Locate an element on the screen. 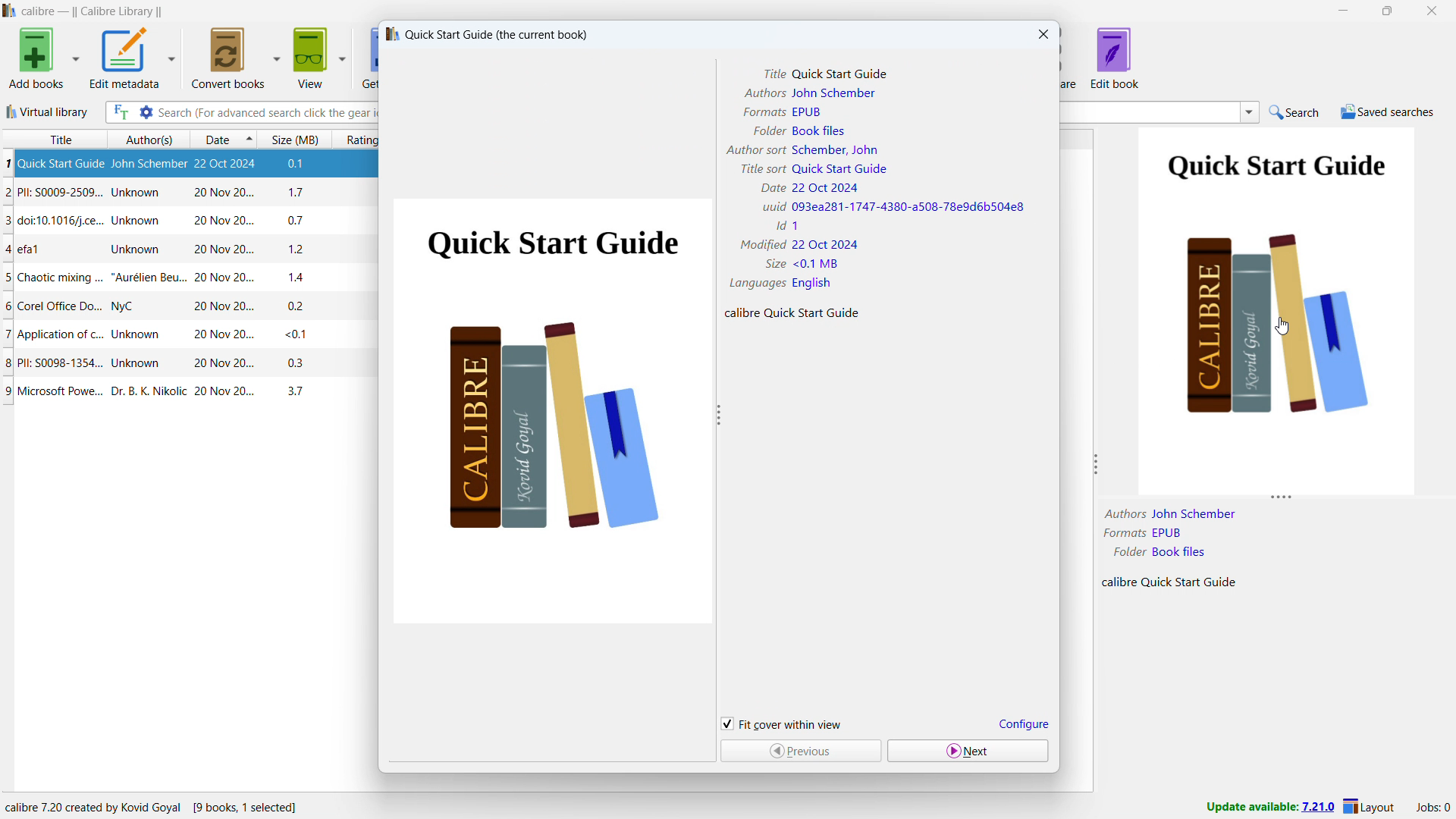 This screenshot has width=1456, height=819. maximize is located at coordinates (1390, 11).